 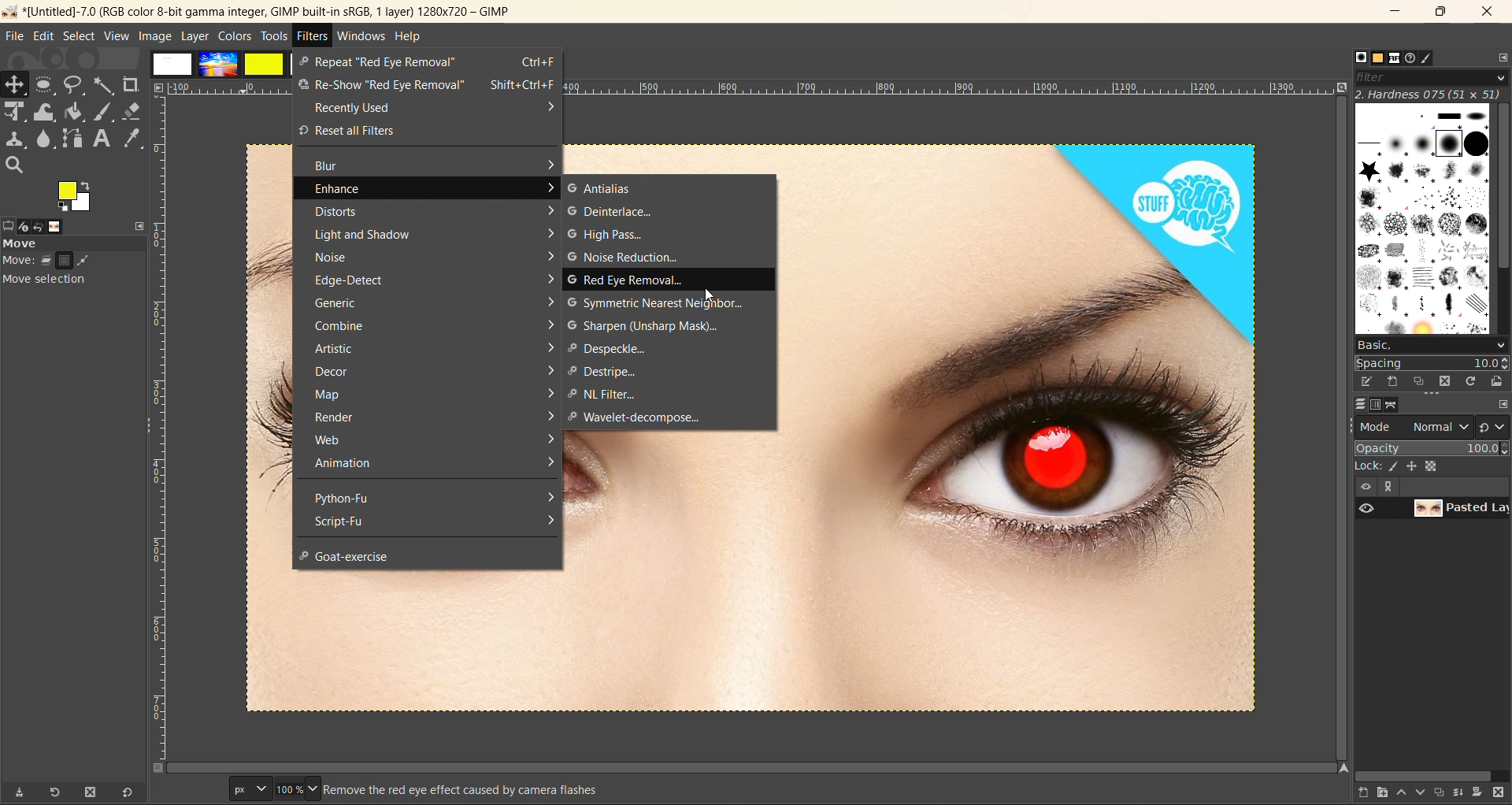 What do you see at coordinates (102, 139) in the screenshot?
I see `text tool` at bounding box center [102, 139].